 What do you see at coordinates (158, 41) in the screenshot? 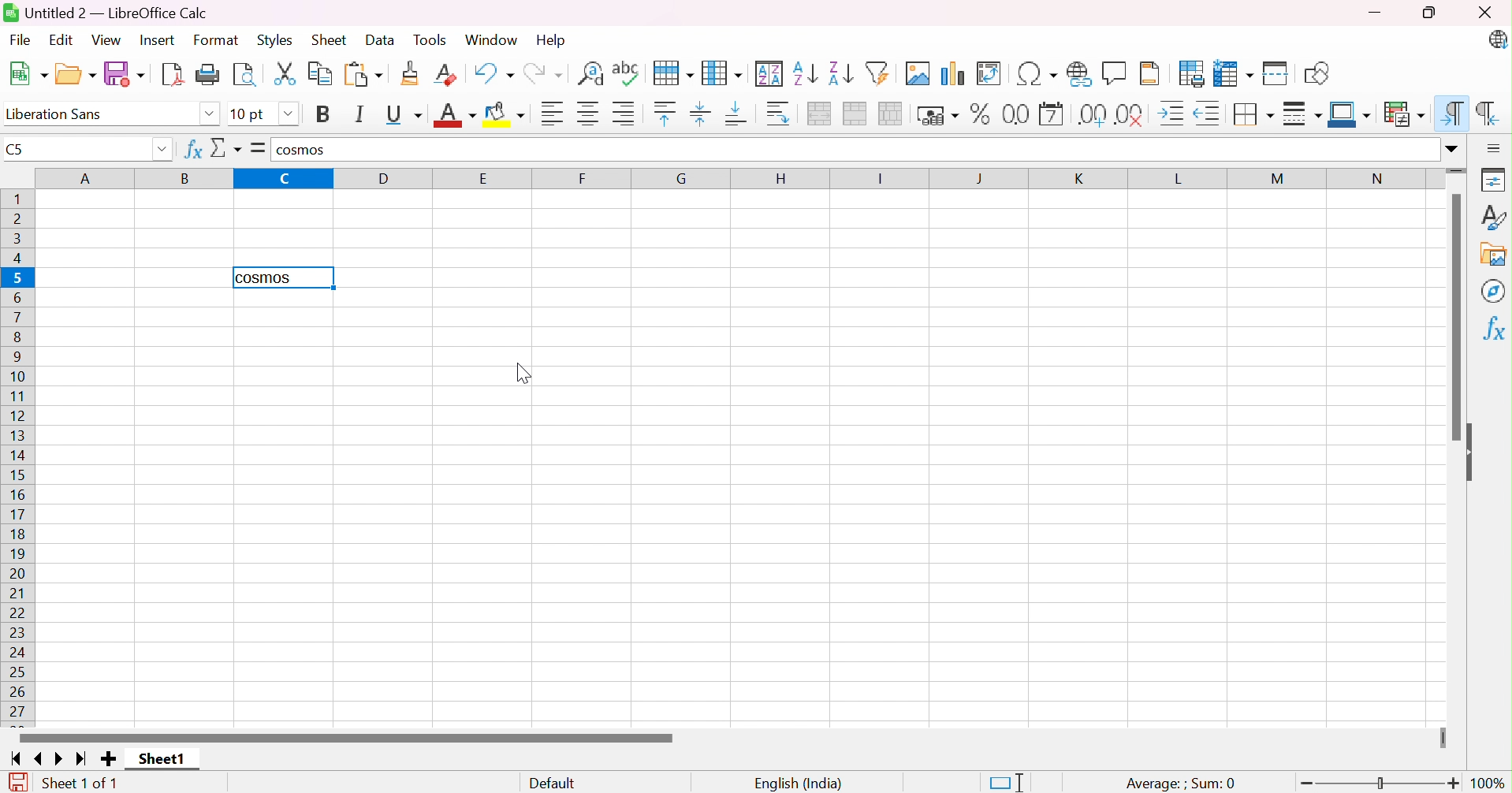
I see `Insert` at bounding box center [158, 41].